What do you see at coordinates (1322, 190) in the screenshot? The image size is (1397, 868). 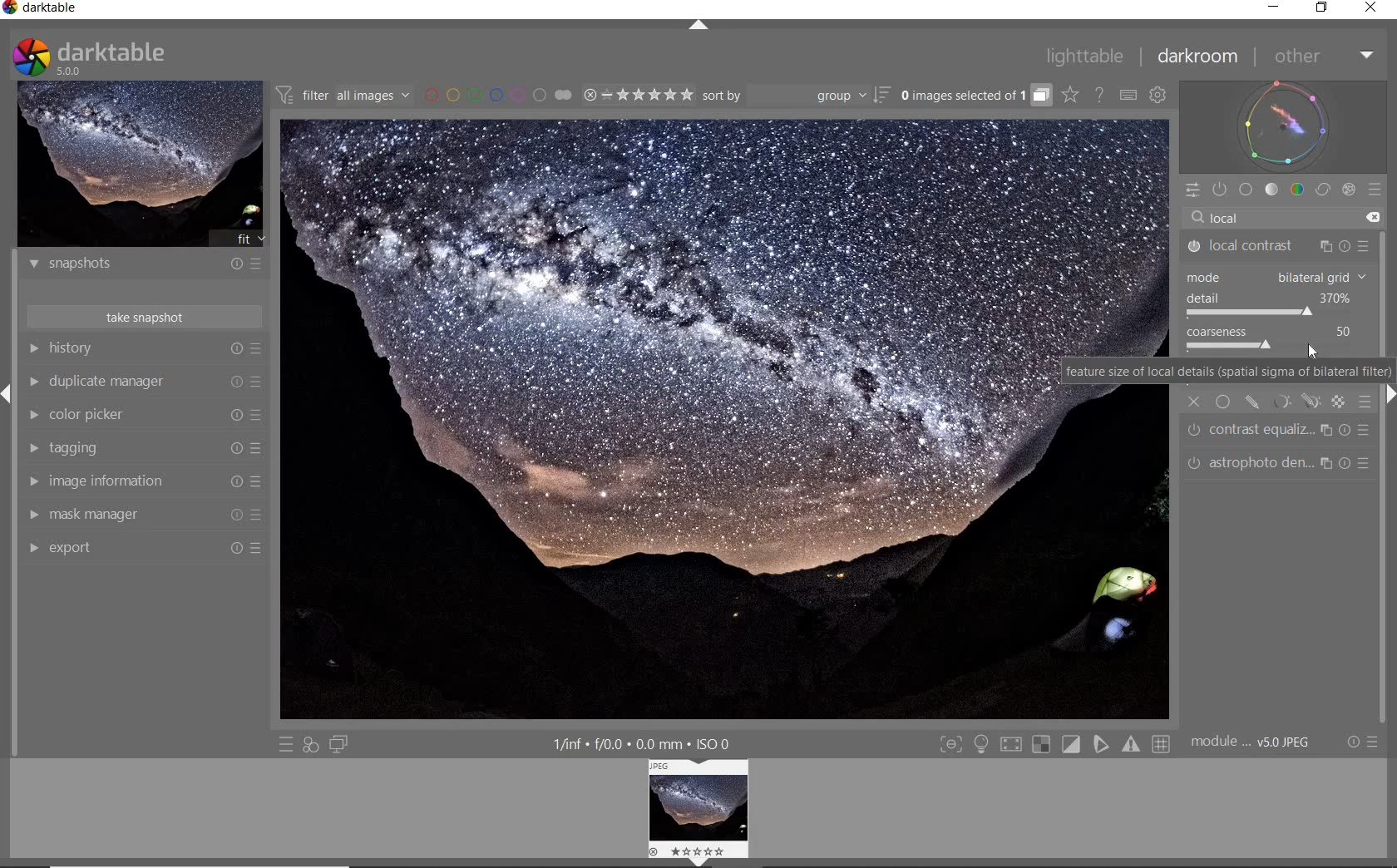 I see `CORRECT` at bounding box center [1322, 190].